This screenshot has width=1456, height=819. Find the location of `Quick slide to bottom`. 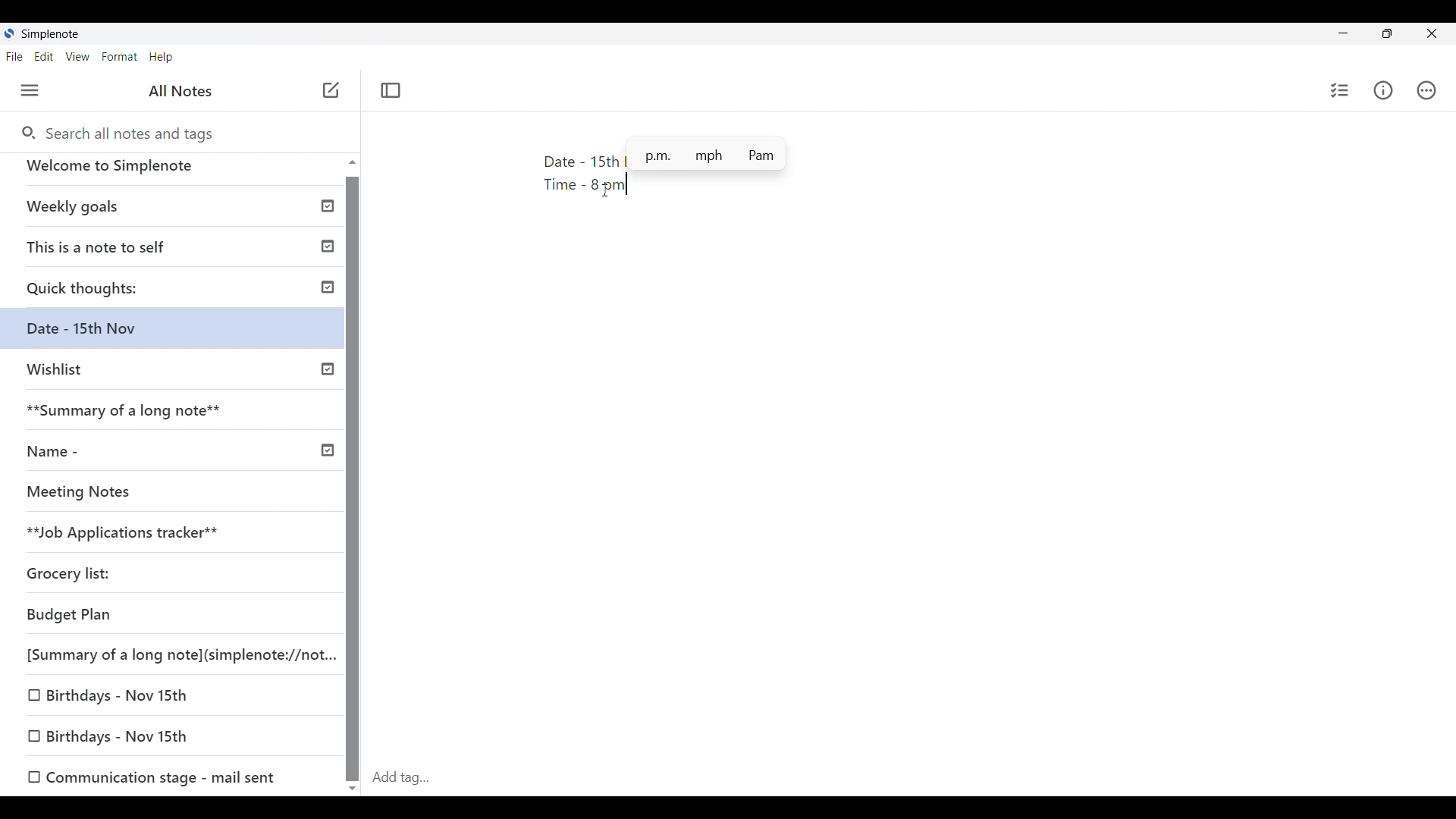

Quick slide to bottom is located at coordinates (353, 789).